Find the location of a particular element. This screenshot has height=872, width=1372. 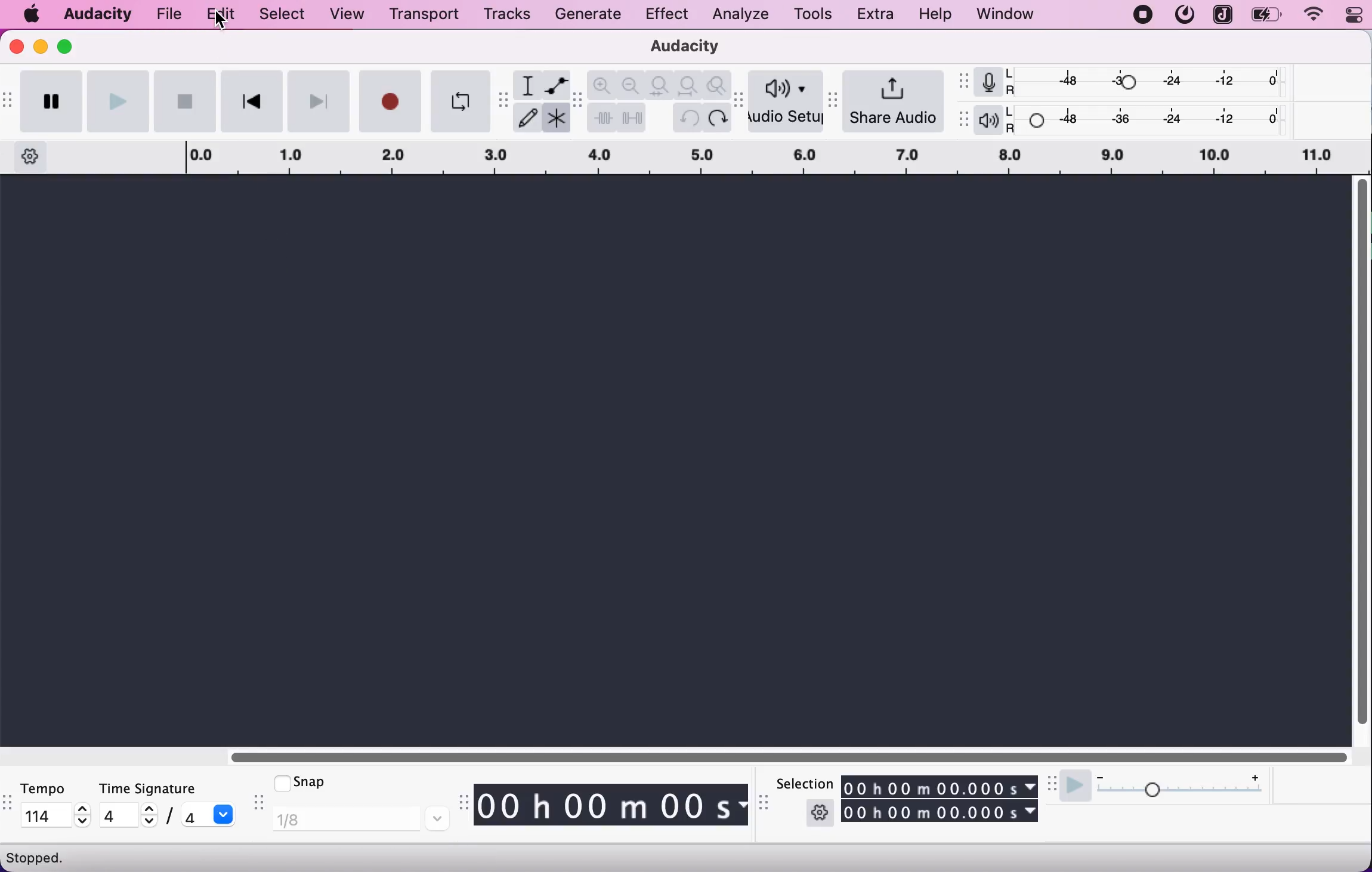

audacity audio setup toolbar is located at coordinates (739, 100).